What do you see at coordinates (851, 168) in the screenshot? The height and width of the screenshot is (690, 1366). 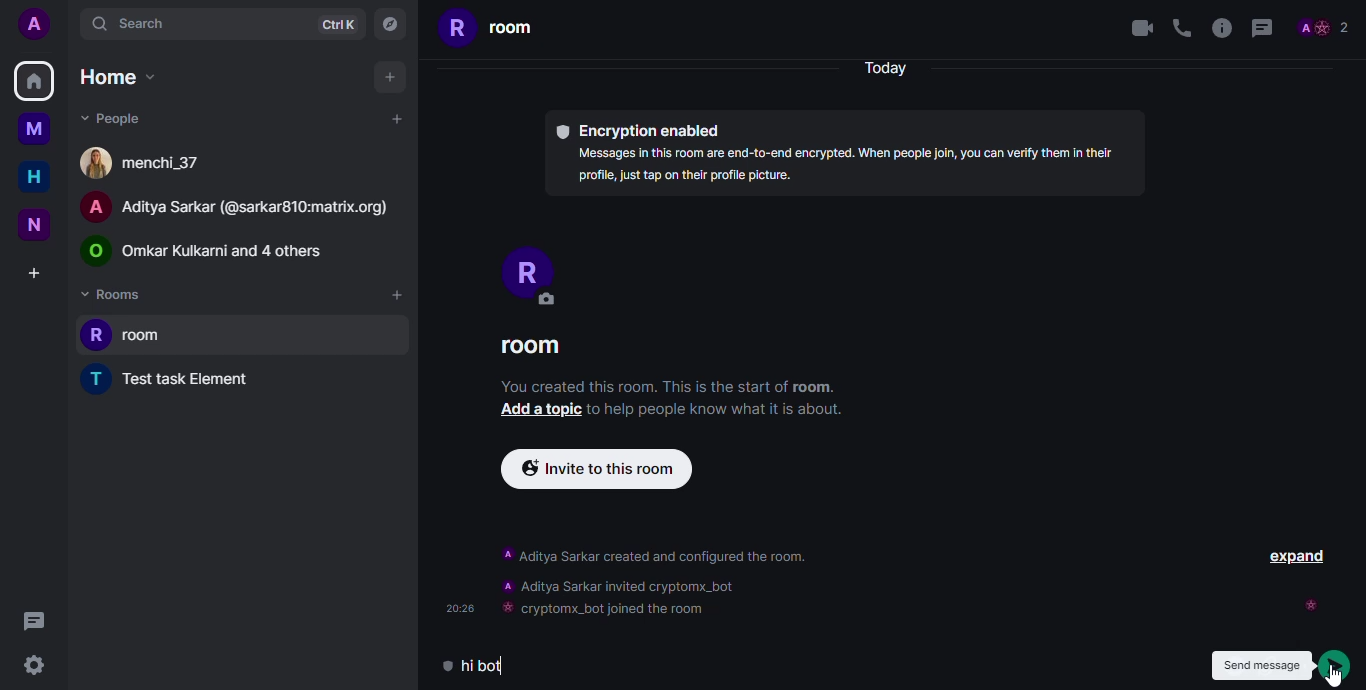 I see `Messages in this room are end-to-end encrypted. When people join, you can verify them In thelr
profile, just tap on their profile picture.` at bounding box center [851, 168].